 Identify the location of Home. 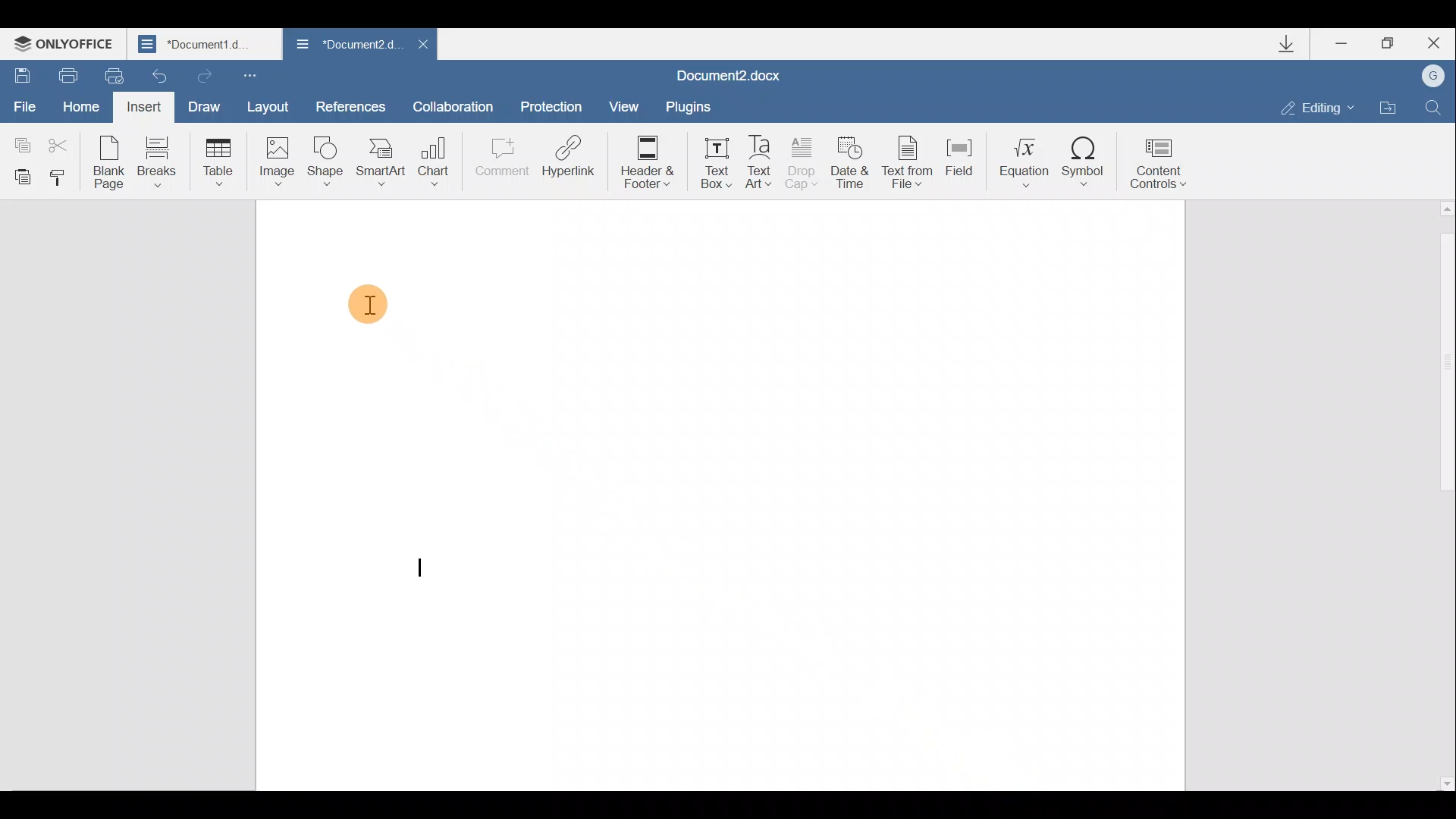
(78, 103).